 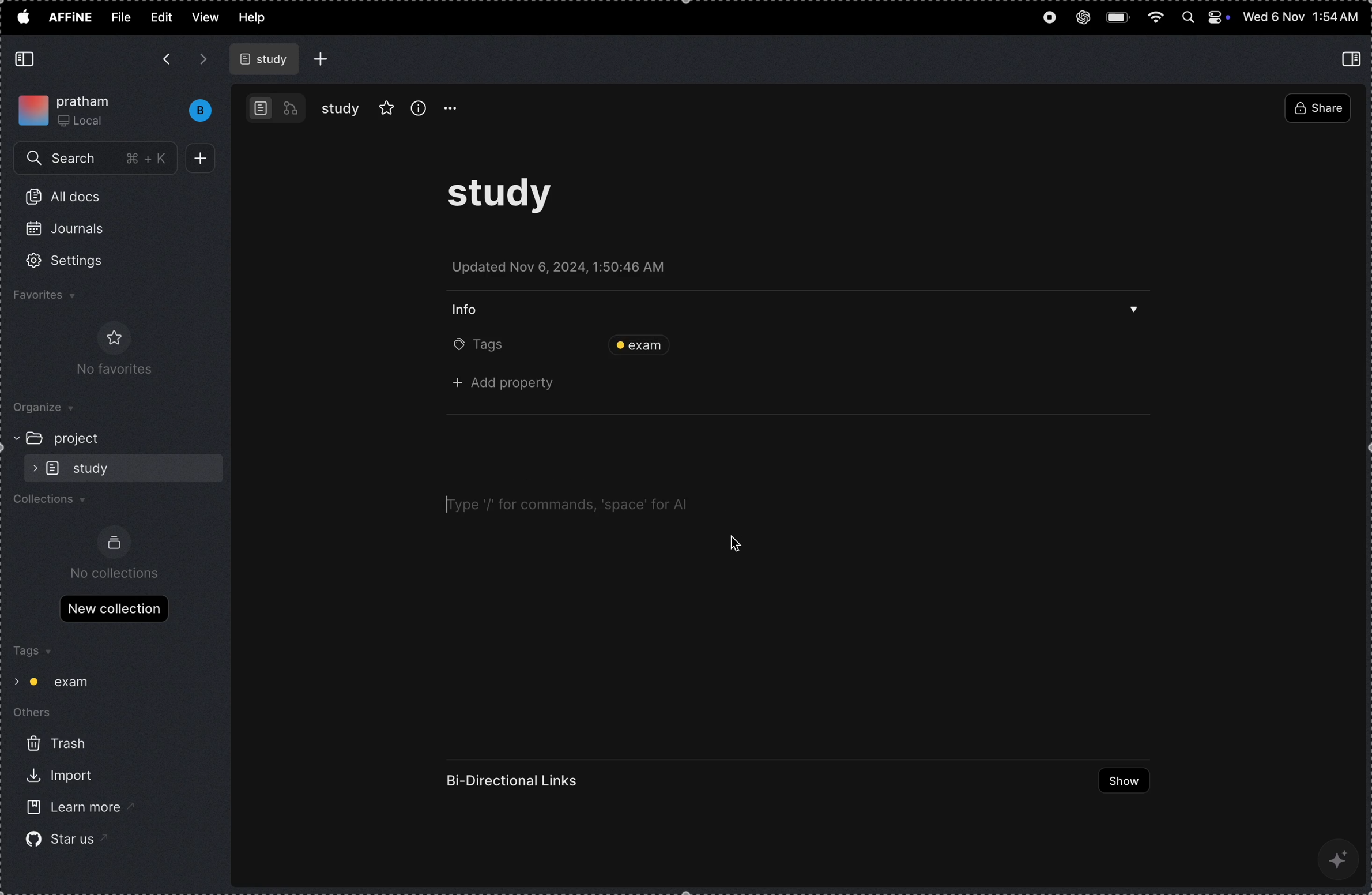 What do you see at coordinates (71, 18) in the screenshot?
I see `affine` at bounding box center [71, 18].